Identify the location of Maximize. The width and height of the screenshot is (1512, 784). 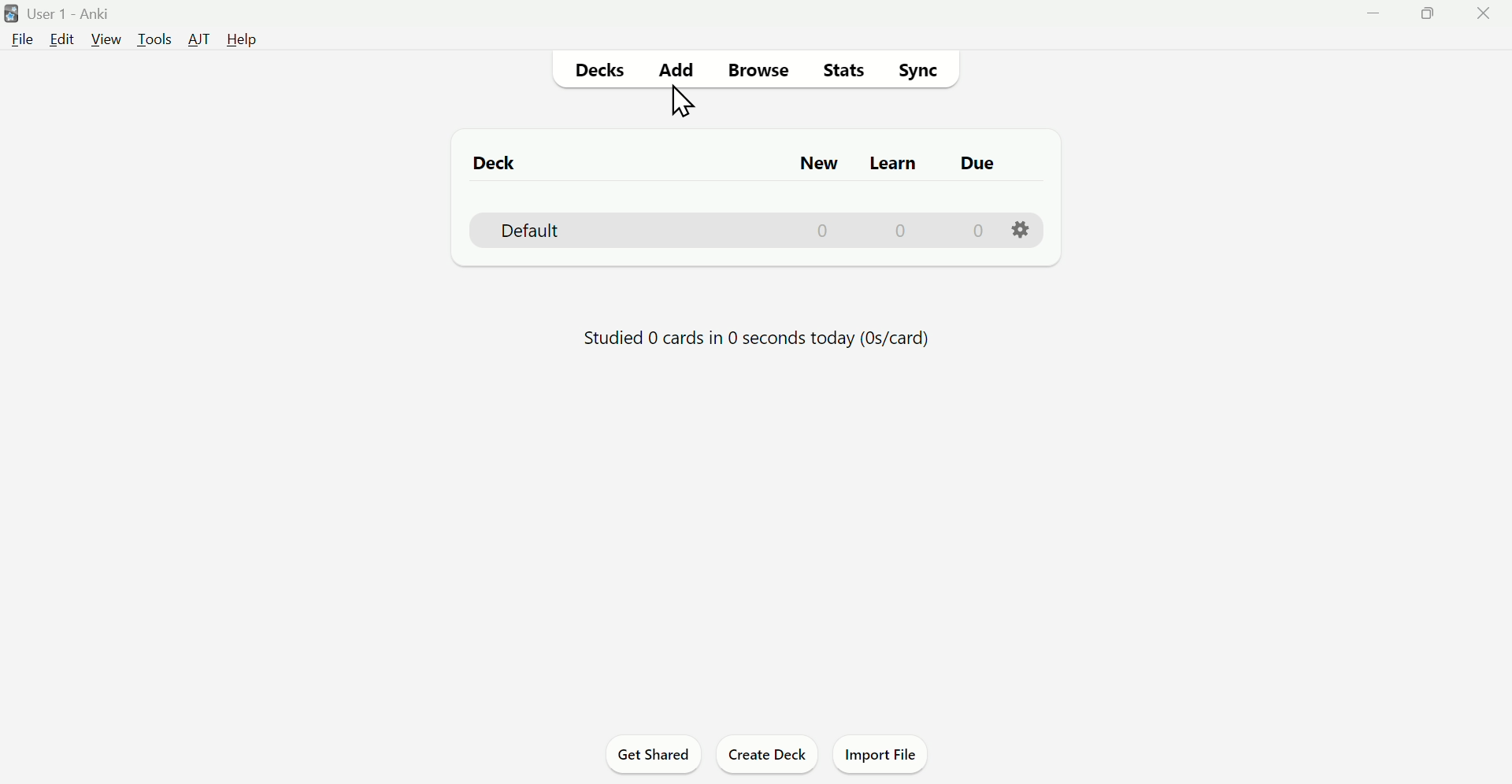
(1425, 15).